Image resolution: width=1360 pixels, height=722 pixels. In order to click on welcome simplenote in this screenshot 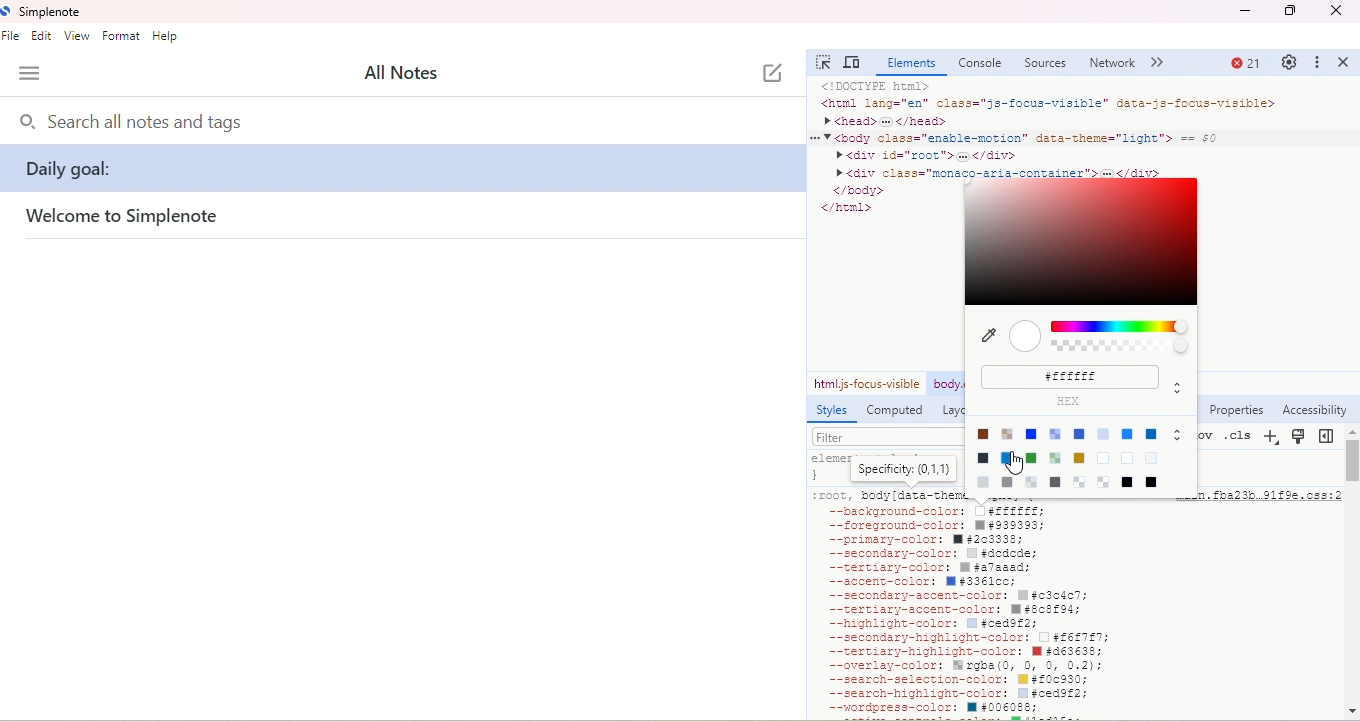, I will do `click(124, 218)`.